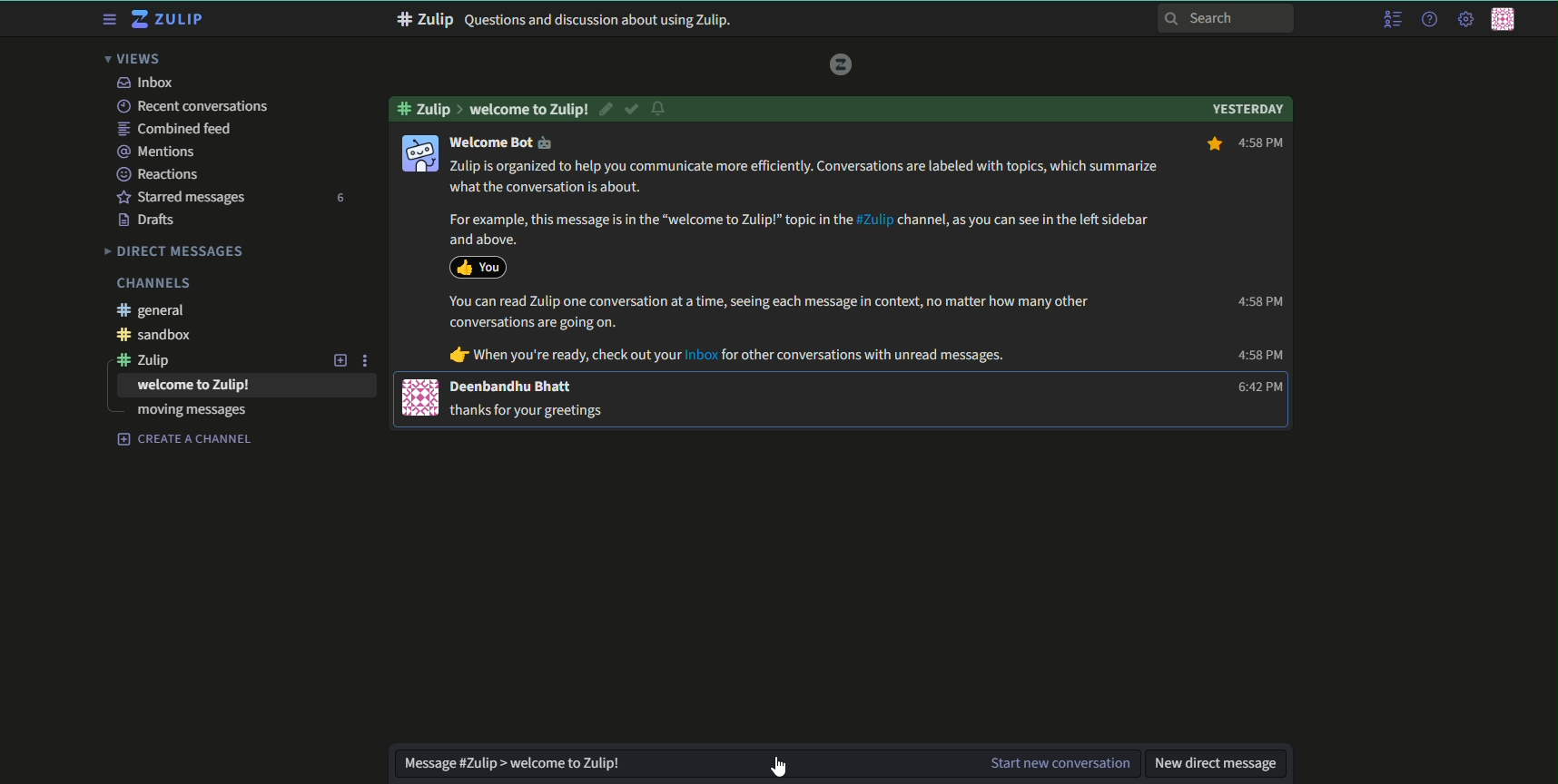 This screenshot has height=784, width=1558. What do you see at coordinates (633, 109) in the screenshot?
I see `resolved` at bounding box center [633, 109].